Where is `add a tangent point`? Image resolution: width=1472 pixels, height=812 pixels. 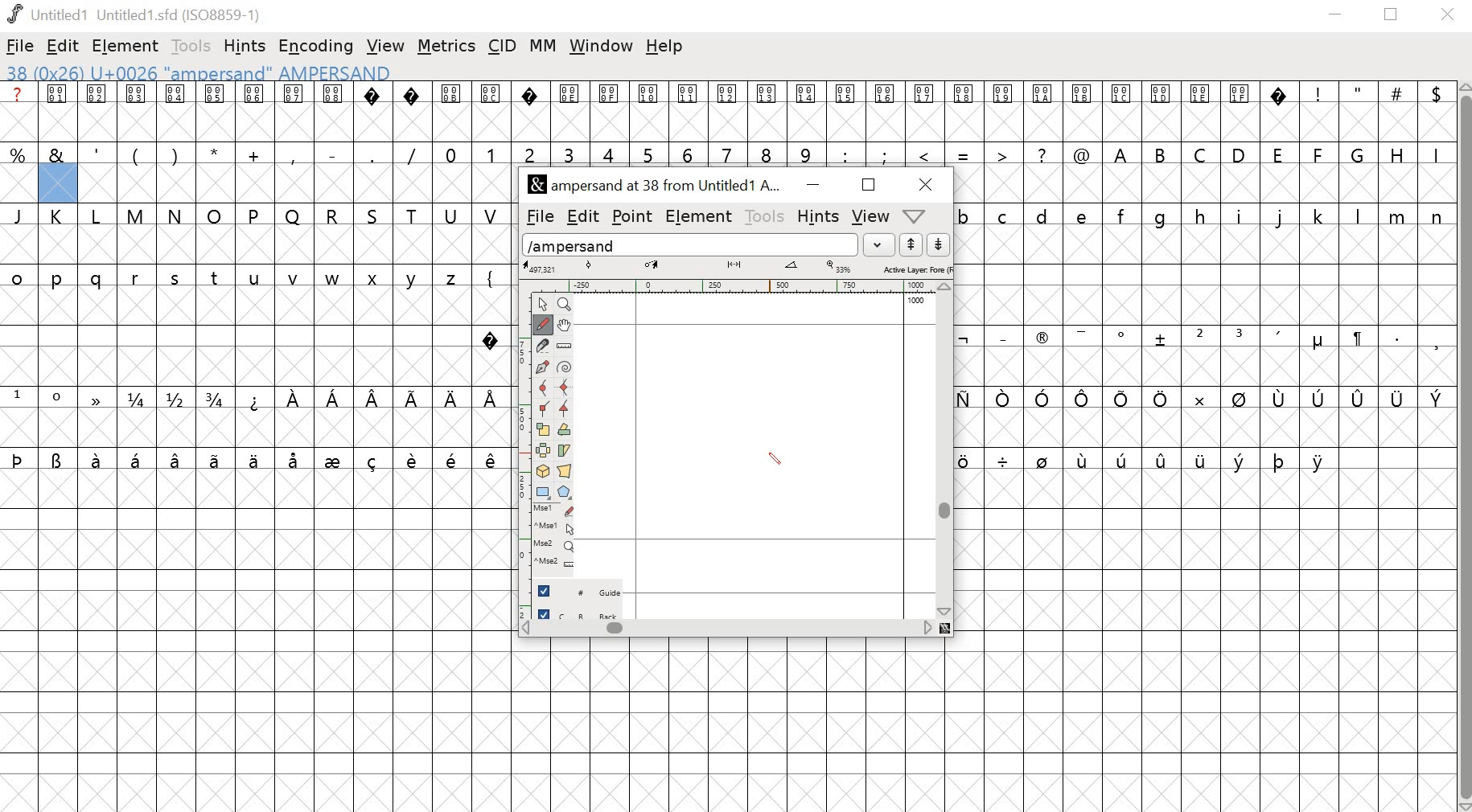
add a tangent point is located at coordinates (566, 411).